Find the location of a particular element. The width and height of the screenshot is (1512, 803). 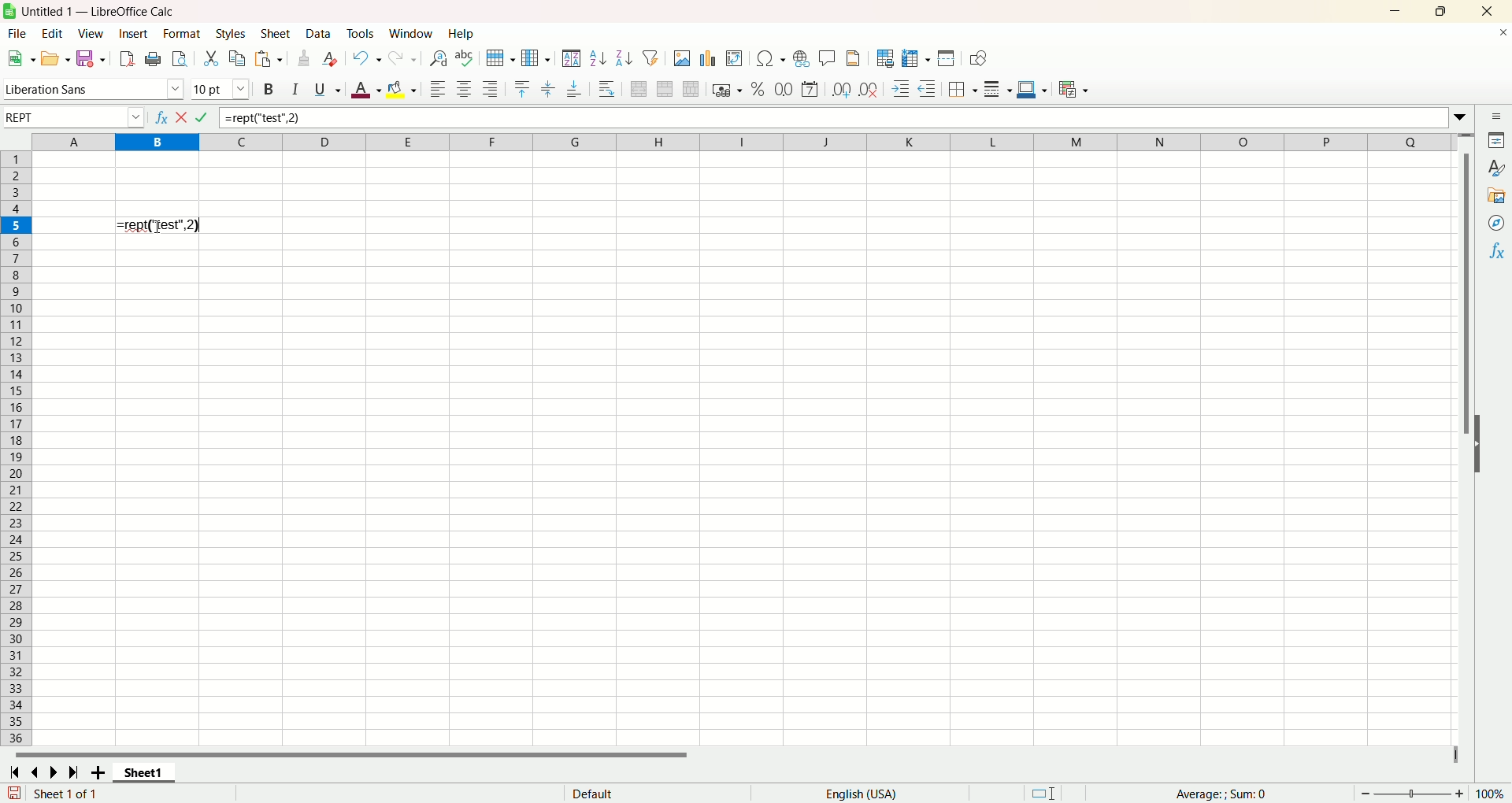

tools is located at coordinates (360, 34).